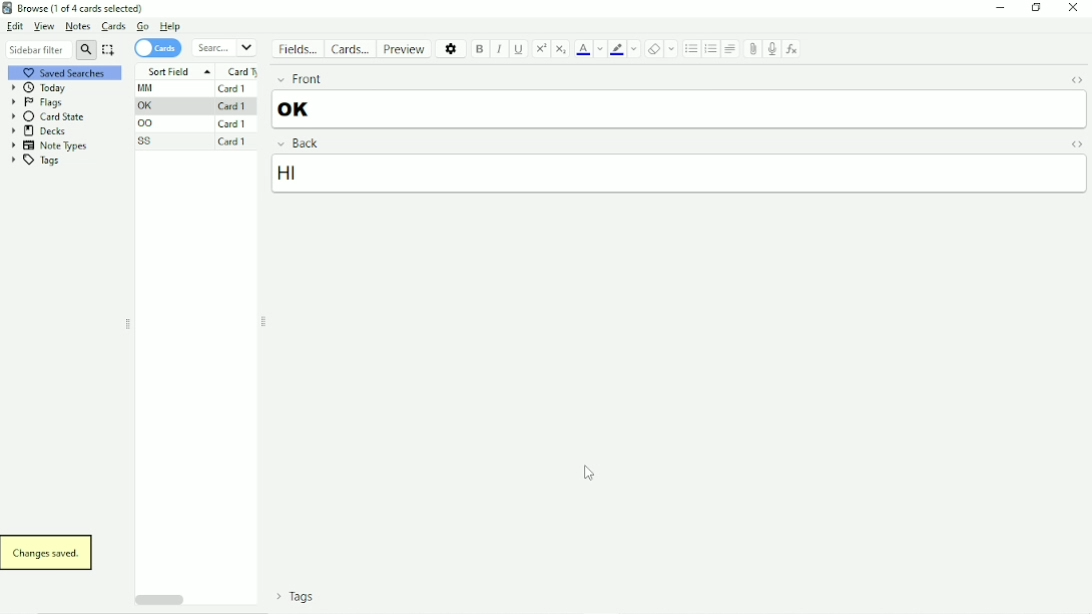 This screenshot has width=1092, height=614. What do you see at coordinates (584, 49) in the screenshot?
I see `Text color` at bounding box center [584, 49].